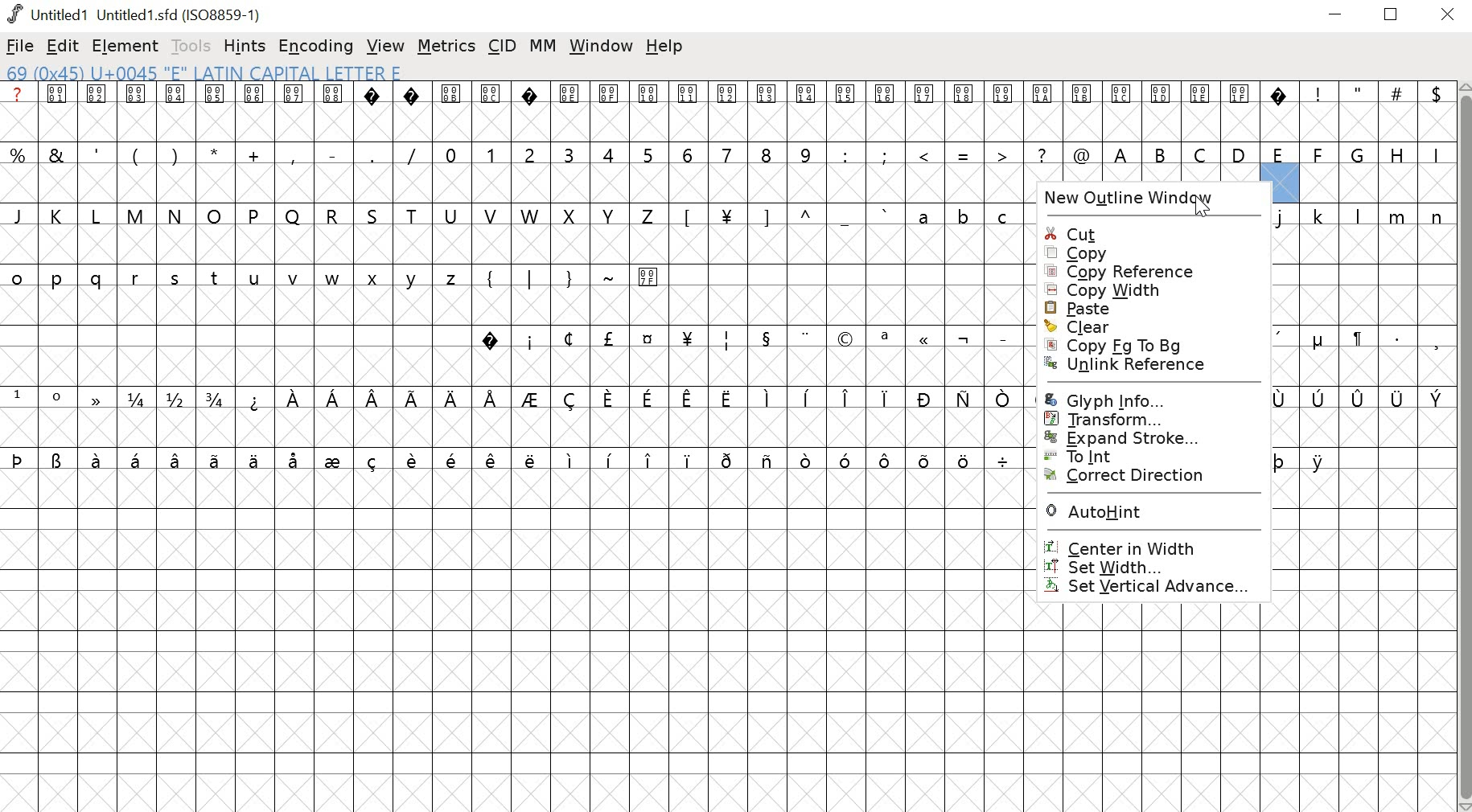 This screenshot has width=1472, height=812. What do you see at coordinates (1277, 153) in the screenshot?
I see `uppercase alphabets` at bounding box center [1277, 153].